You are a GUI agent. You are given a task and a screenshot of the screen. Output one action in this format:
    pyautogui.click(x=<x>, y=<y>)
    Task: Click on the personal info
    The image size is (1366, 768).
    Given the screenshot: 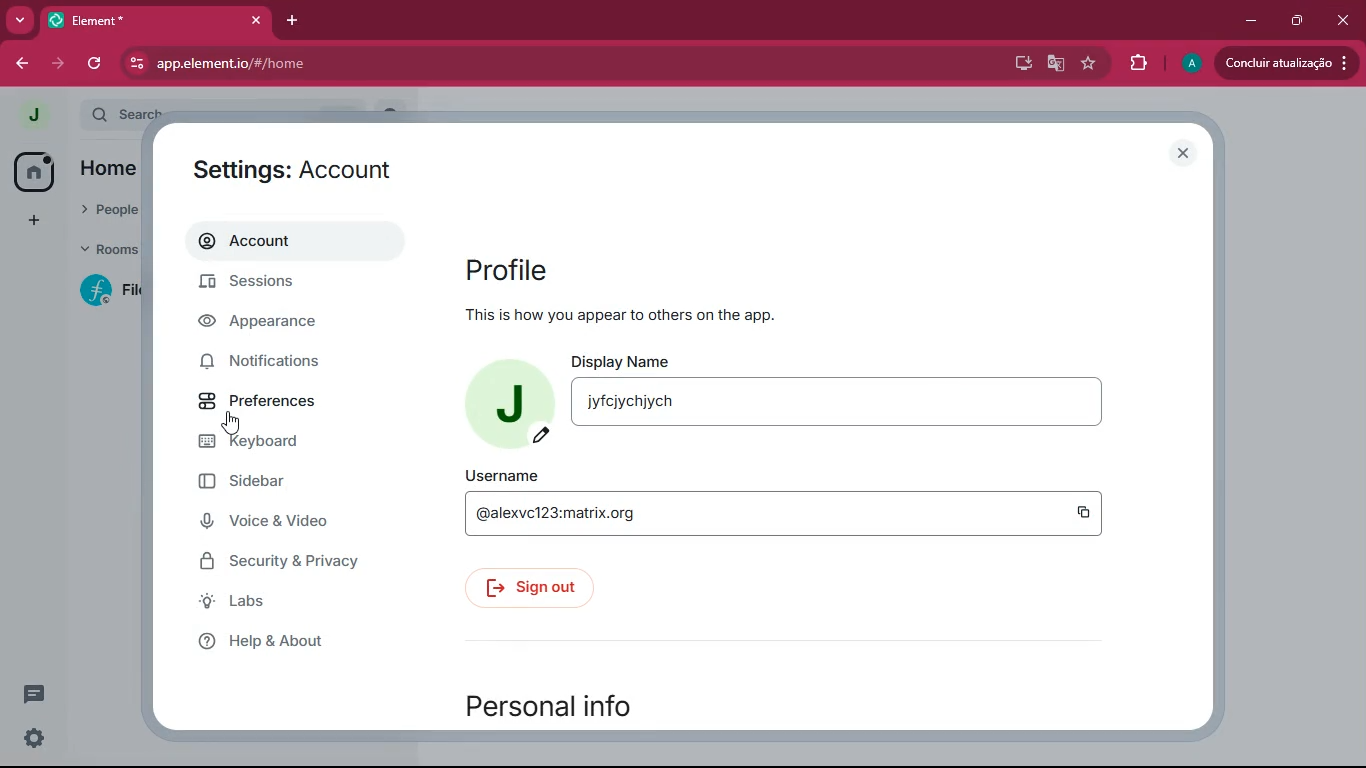 What is the action you would take?
    pyautogui.click(x=562, y=704)
    